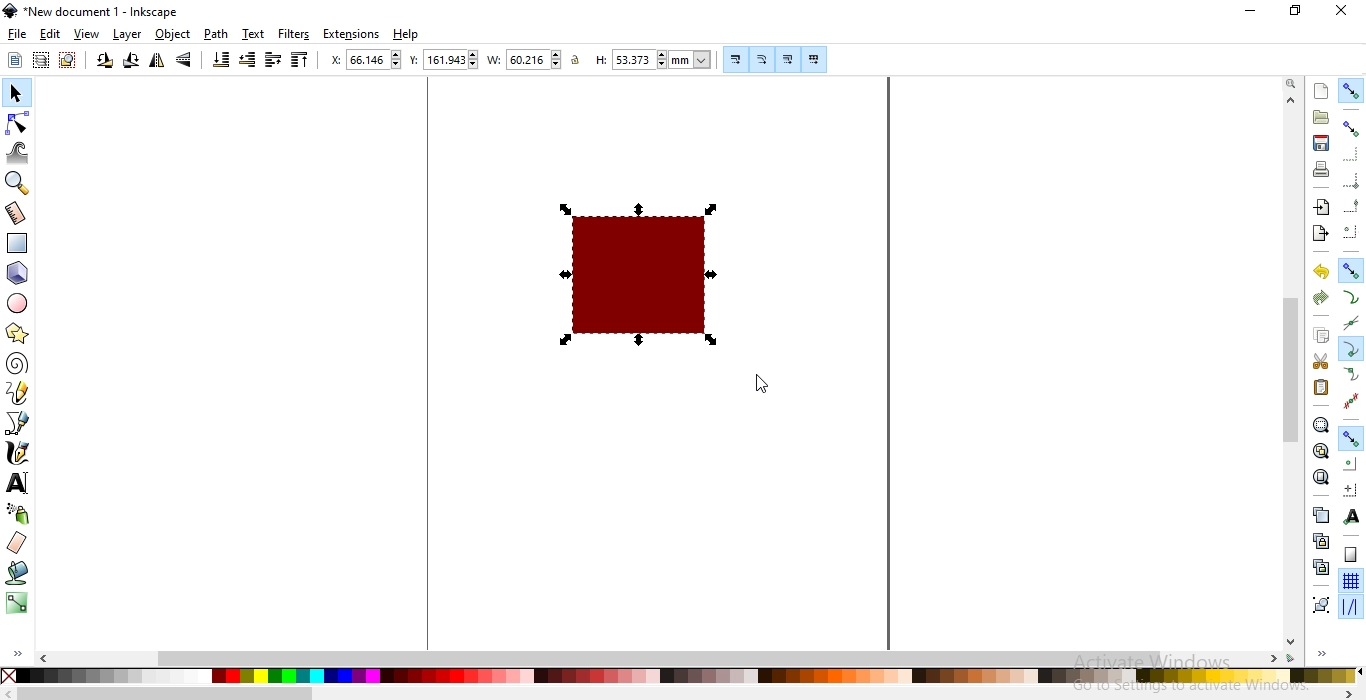 Image resolution: width=1366 pixels, height=700 pixels. Describe the element at coordinates (679, 676) in the screenshot. I see `color` at that location.